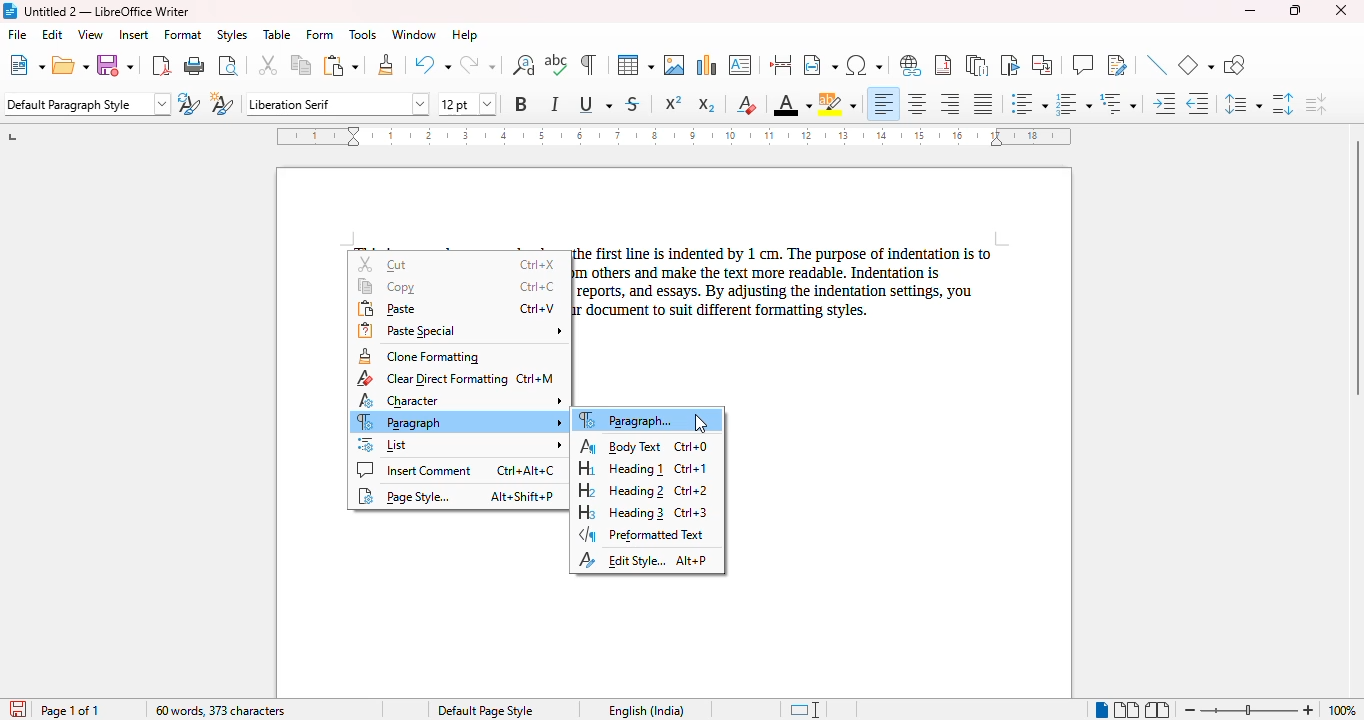  Describe the element at coordinates (277, 35) in the screenshot. I see `table` at that location.